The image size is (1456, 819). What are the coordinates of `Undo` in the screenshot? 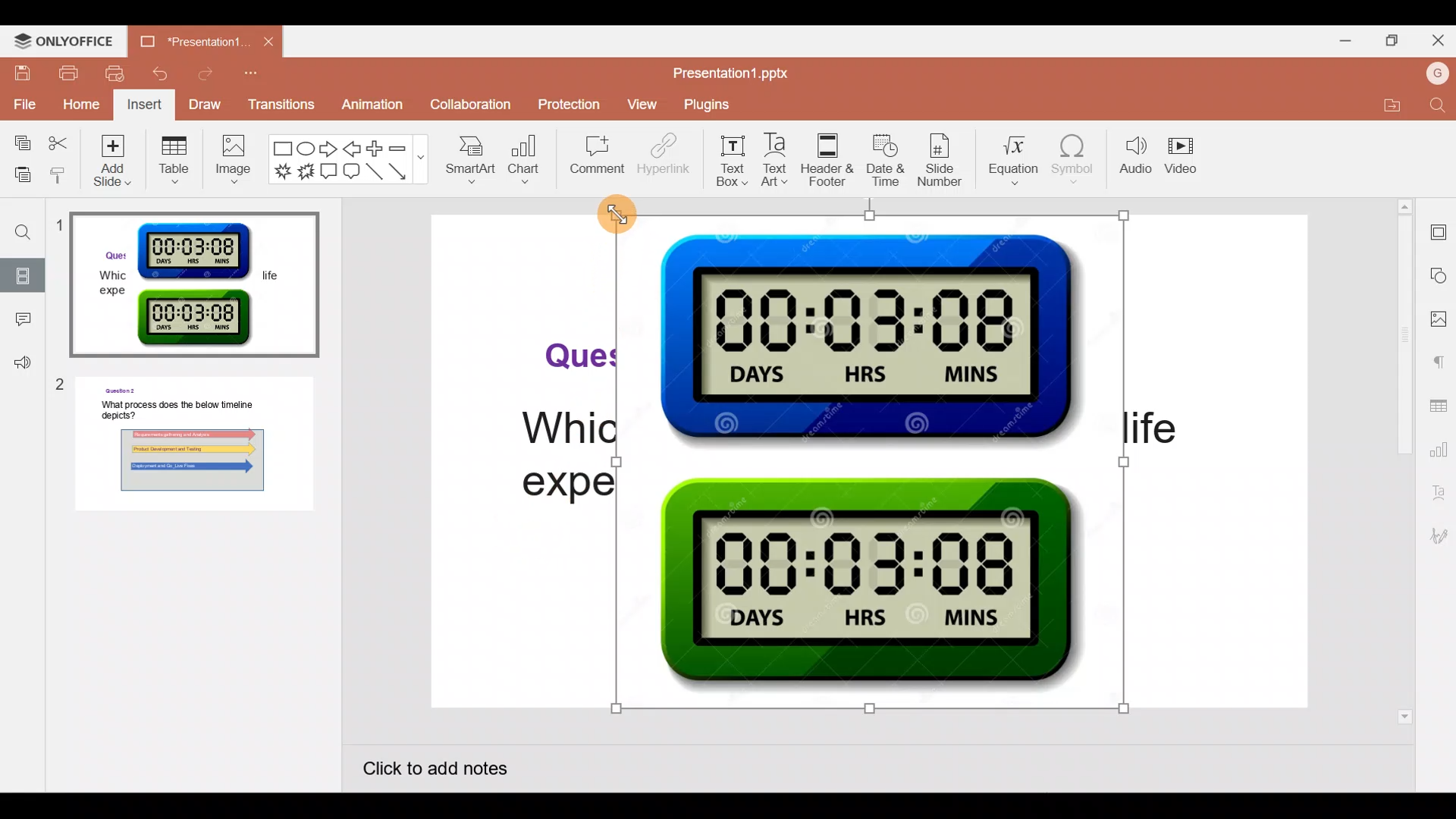 It's located at (167, 74).